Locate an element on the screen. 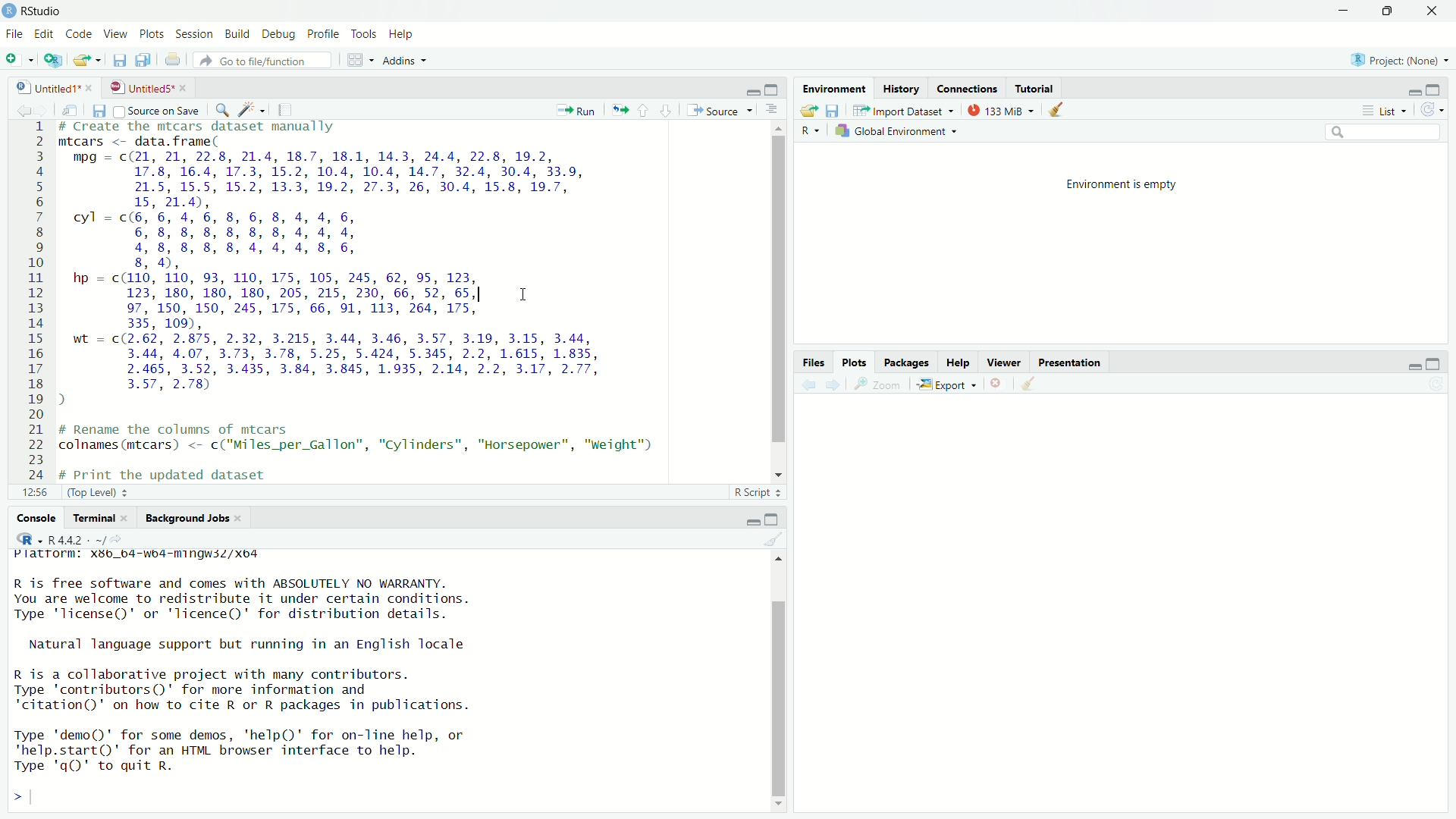  133MiB ~ is located at coordinates (1000, 111).